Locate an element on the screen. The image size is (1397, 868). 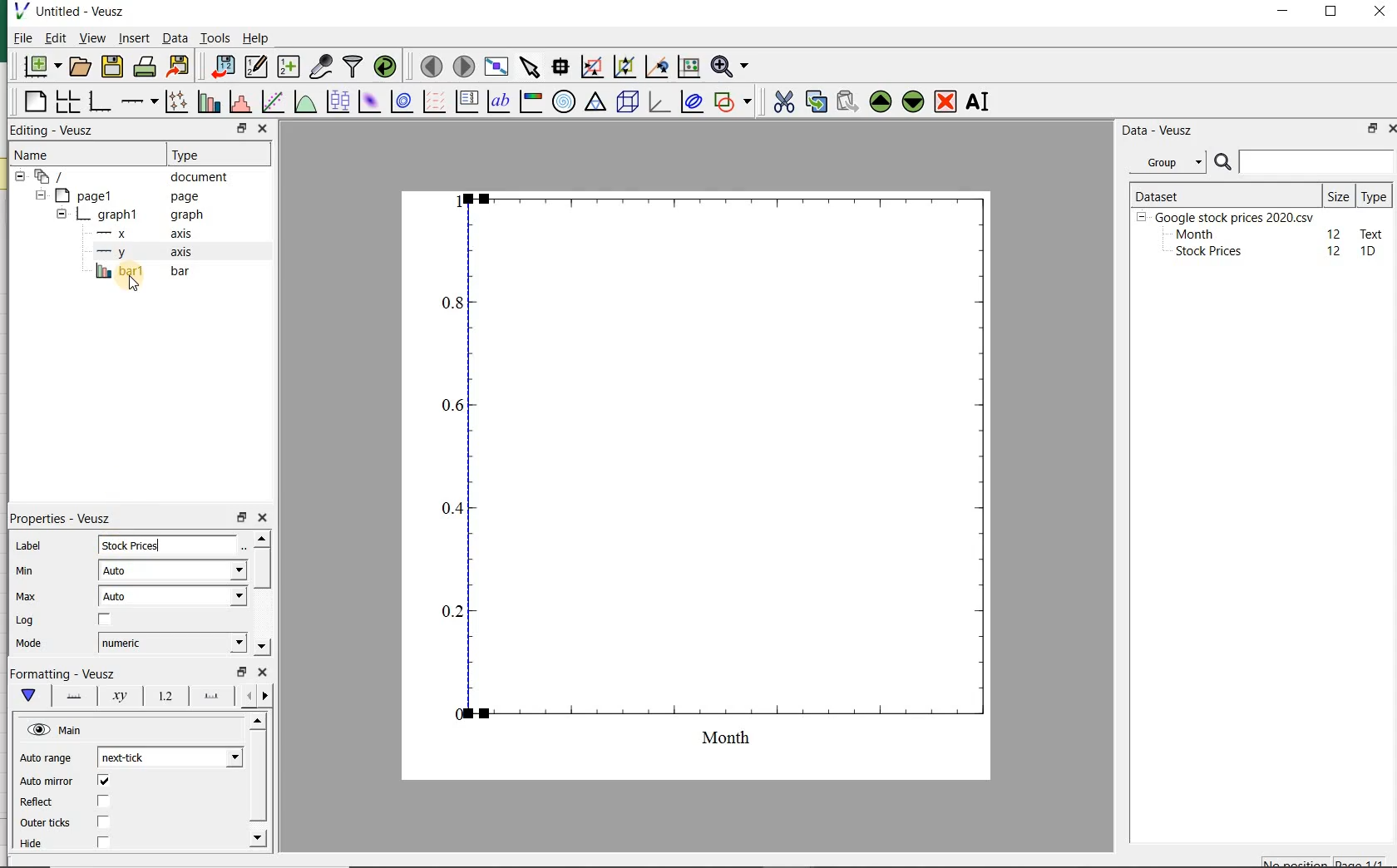
plot covariance ellipses is located at coordinates (692, 102).